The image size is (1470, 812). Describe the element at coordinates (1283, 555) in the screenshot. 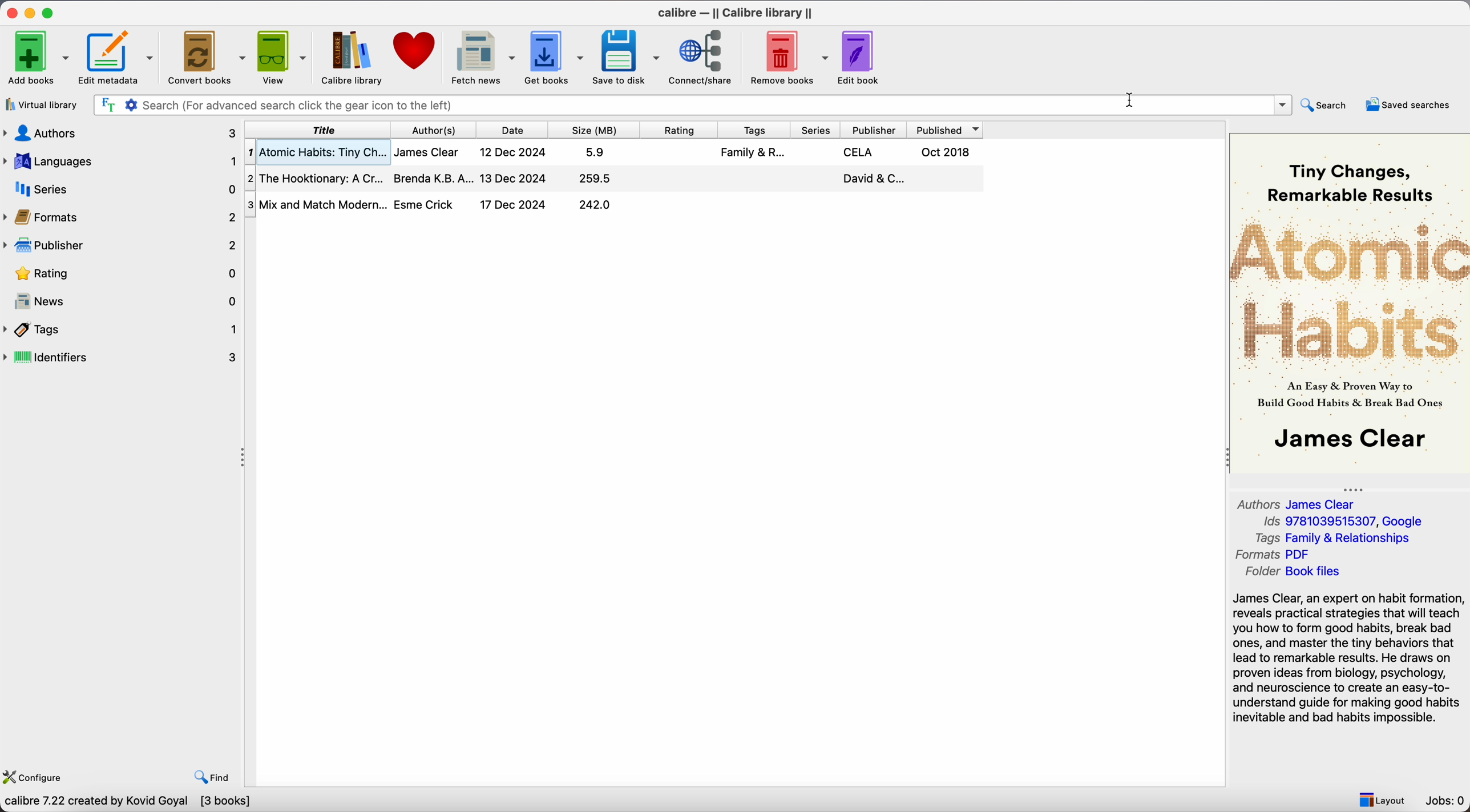

I see `Formats PDF` at that location.